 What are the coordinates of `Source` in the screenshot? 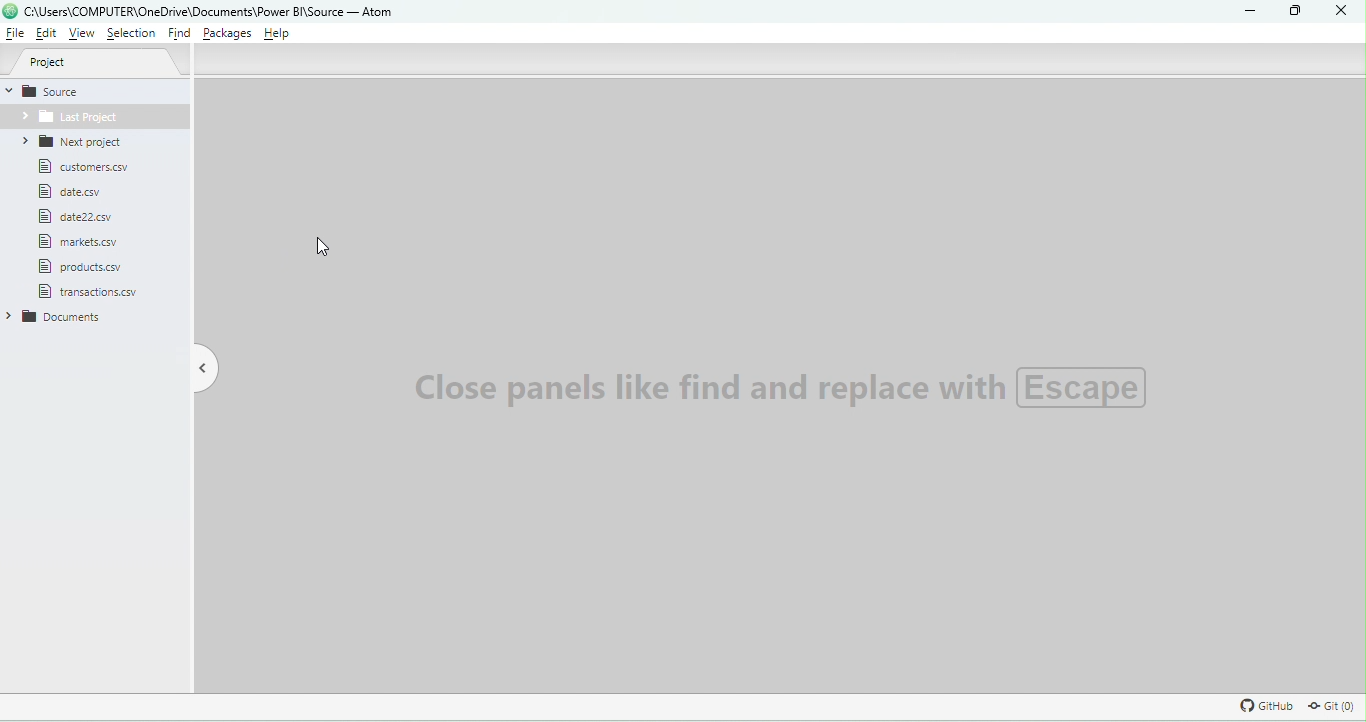 It's located at (98, 91).